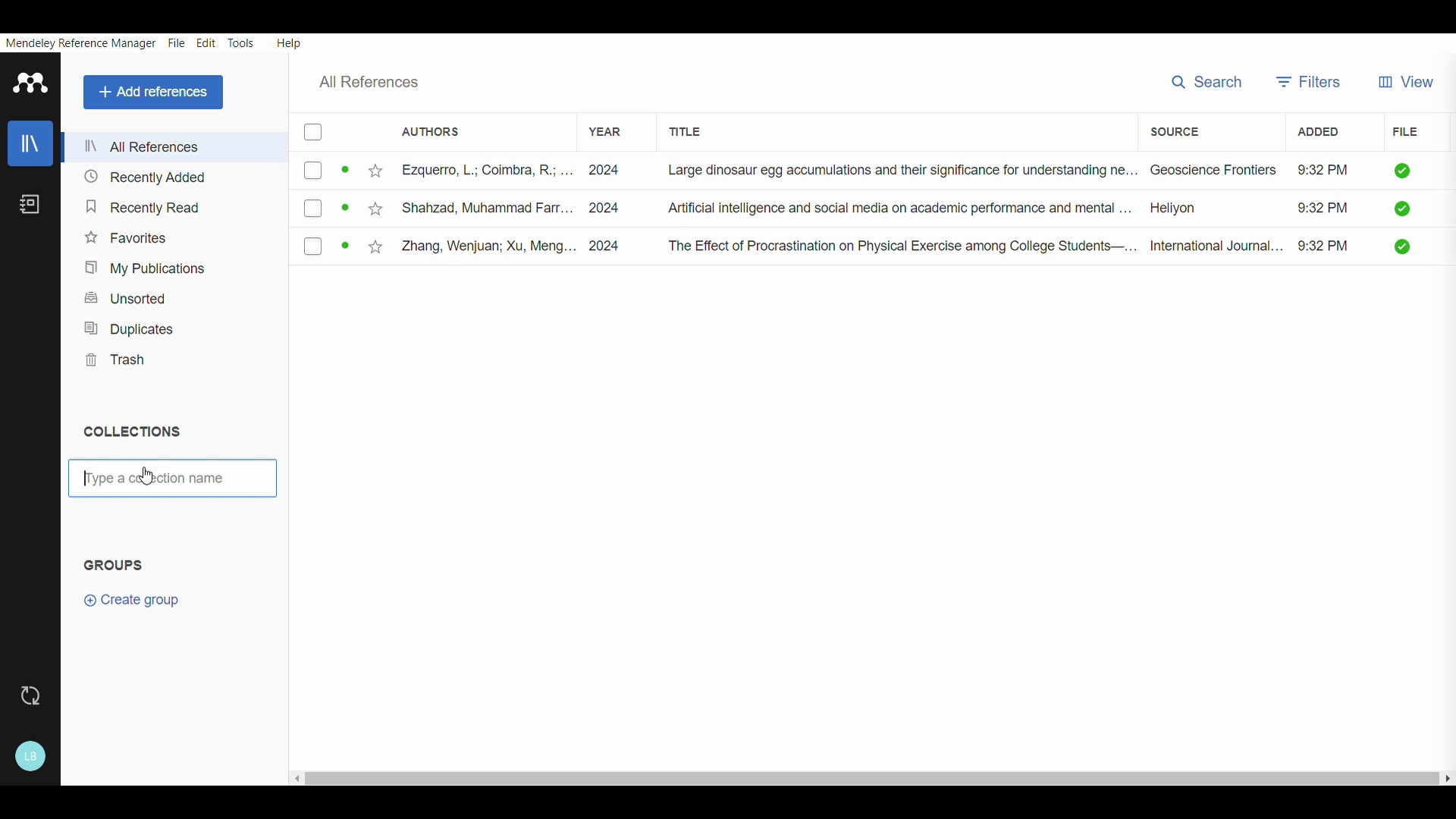 The height and width of the screenshot is (819, 1456). Describe the element at coordinates (119, 563) in the screenshot. I see `GROUPS` at that location.